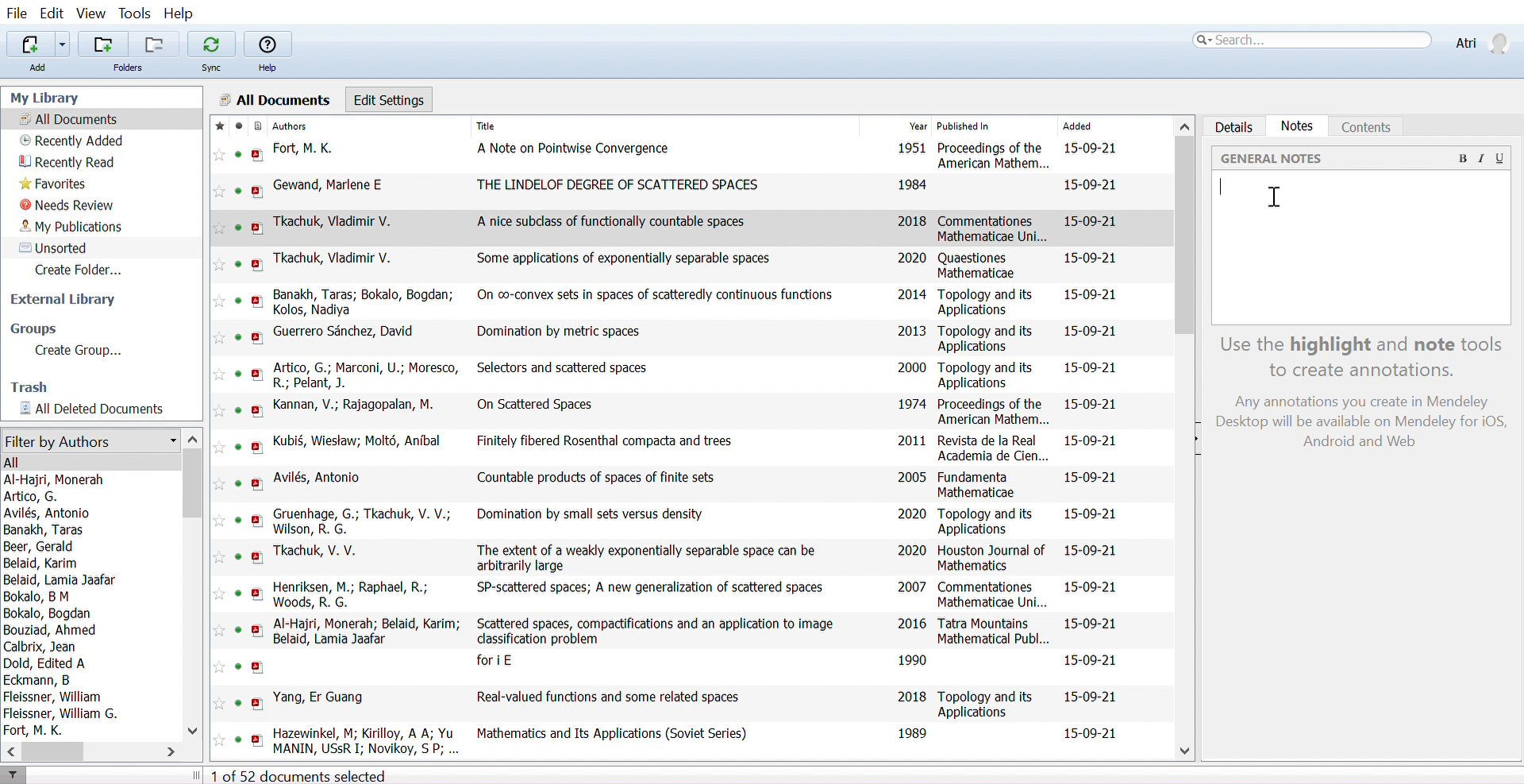  What do you see at coordinates (61, 479) in the screenshot?
I see `Al-Haijri, Monerah` at bounding box center [61, 479].